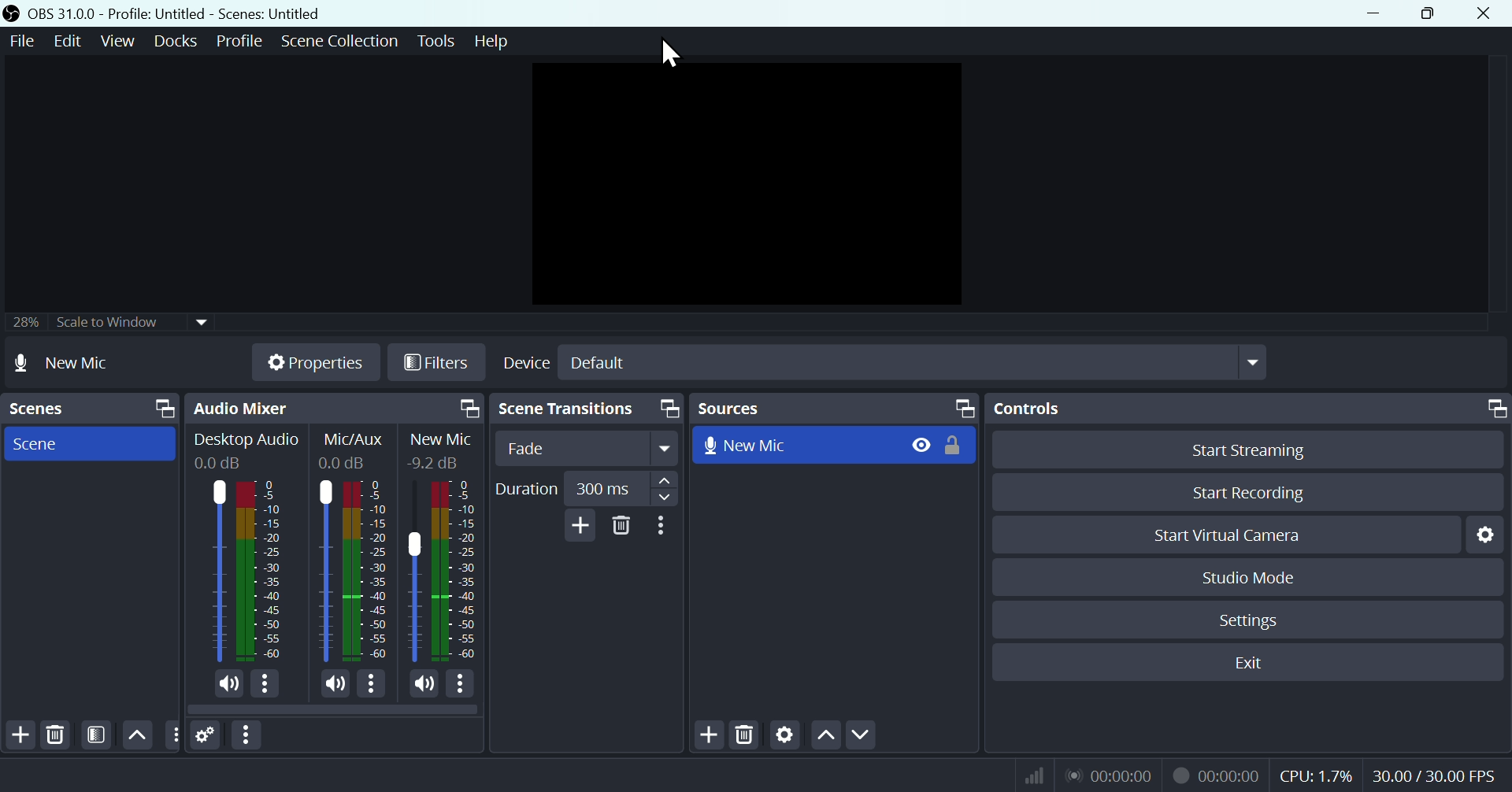 This screenshot has height=792, width=1512. Describe the element at coordinates (413, 572) in the screenshot. I see `Mic` at that location.